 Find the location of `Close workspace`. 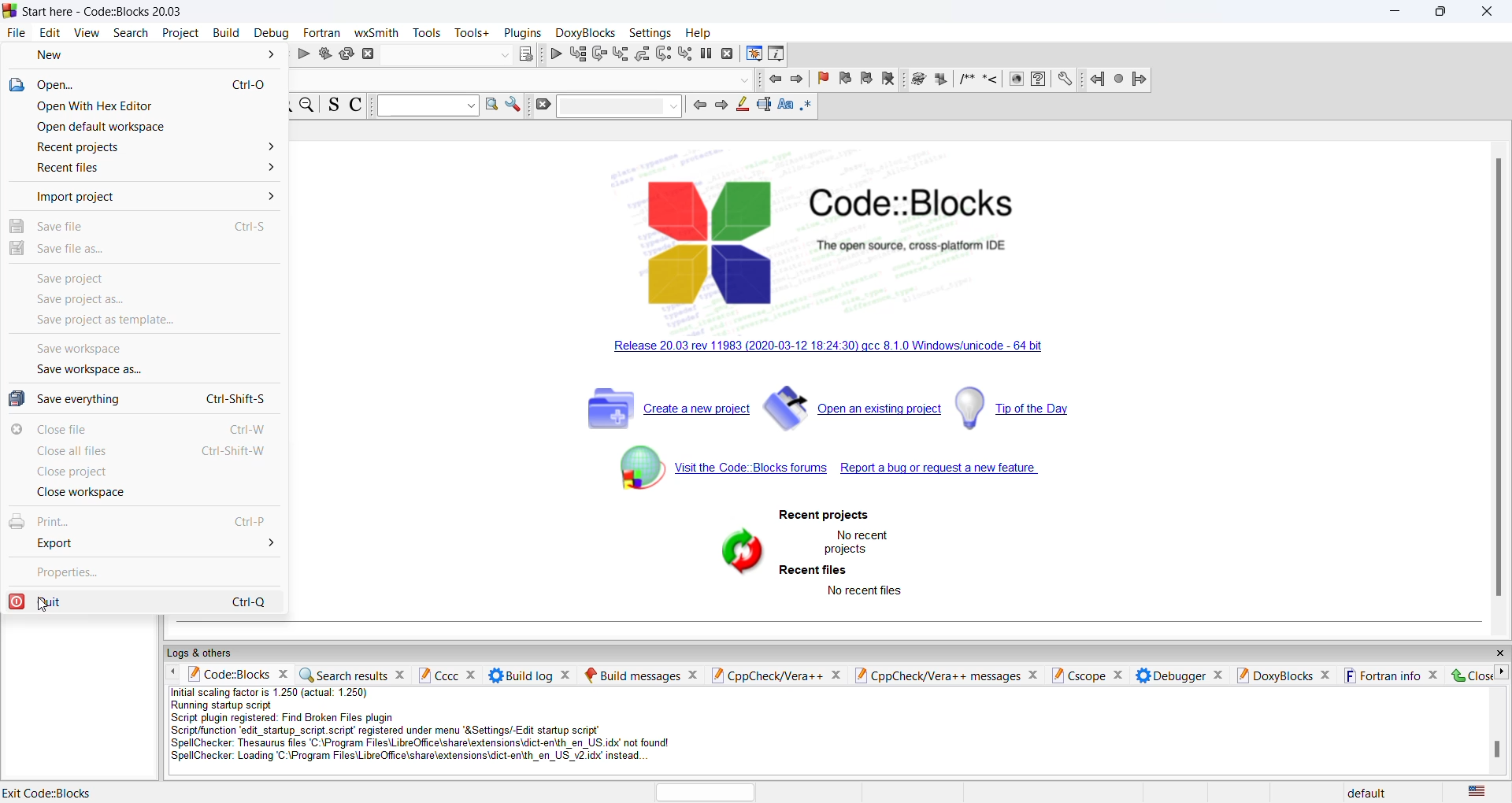

Close workspace is located at coordinates (83, 491).